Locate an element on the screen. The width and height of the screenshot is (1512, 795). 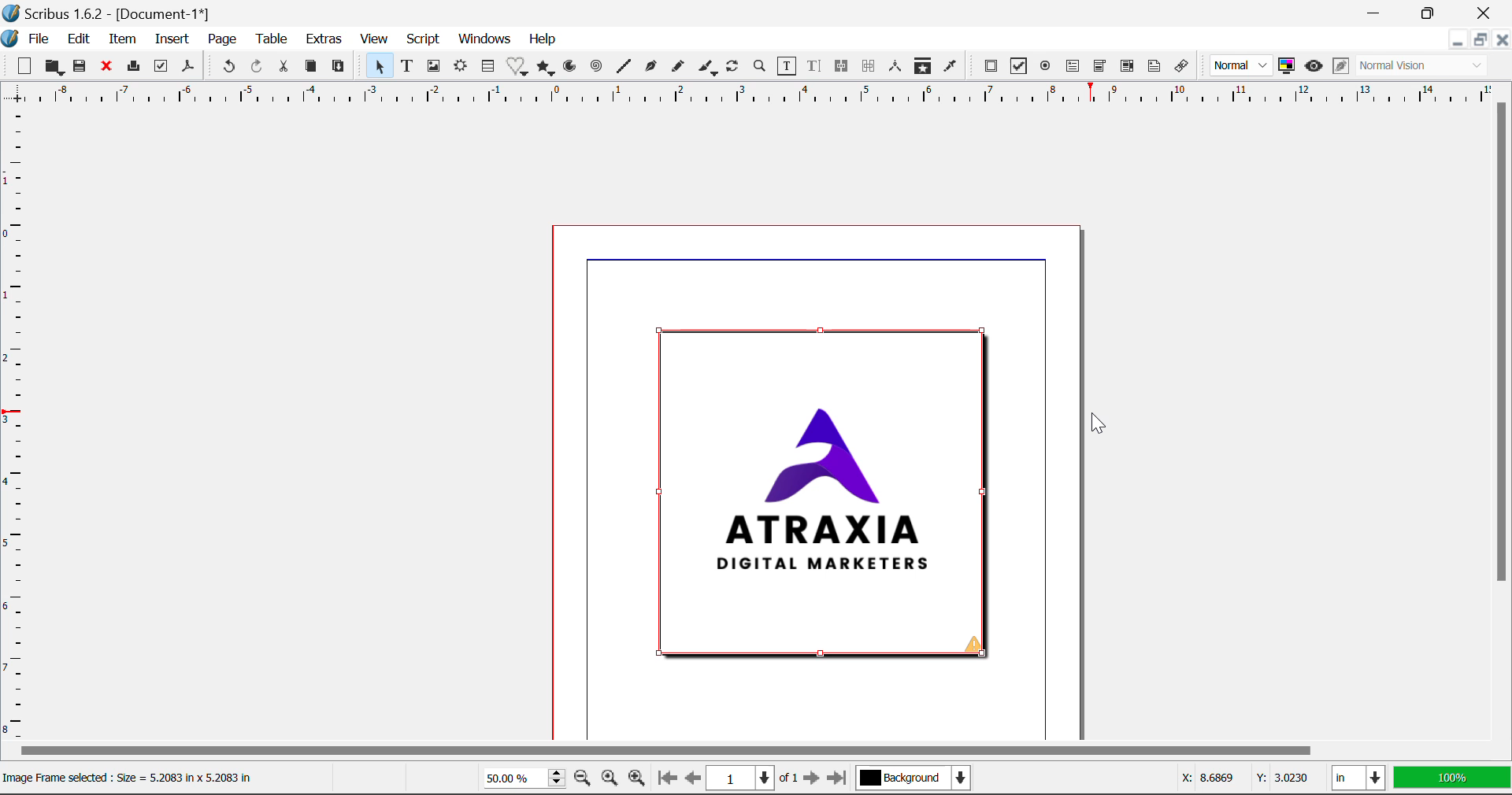
Freehand Line is located at coordinates (680, 70).